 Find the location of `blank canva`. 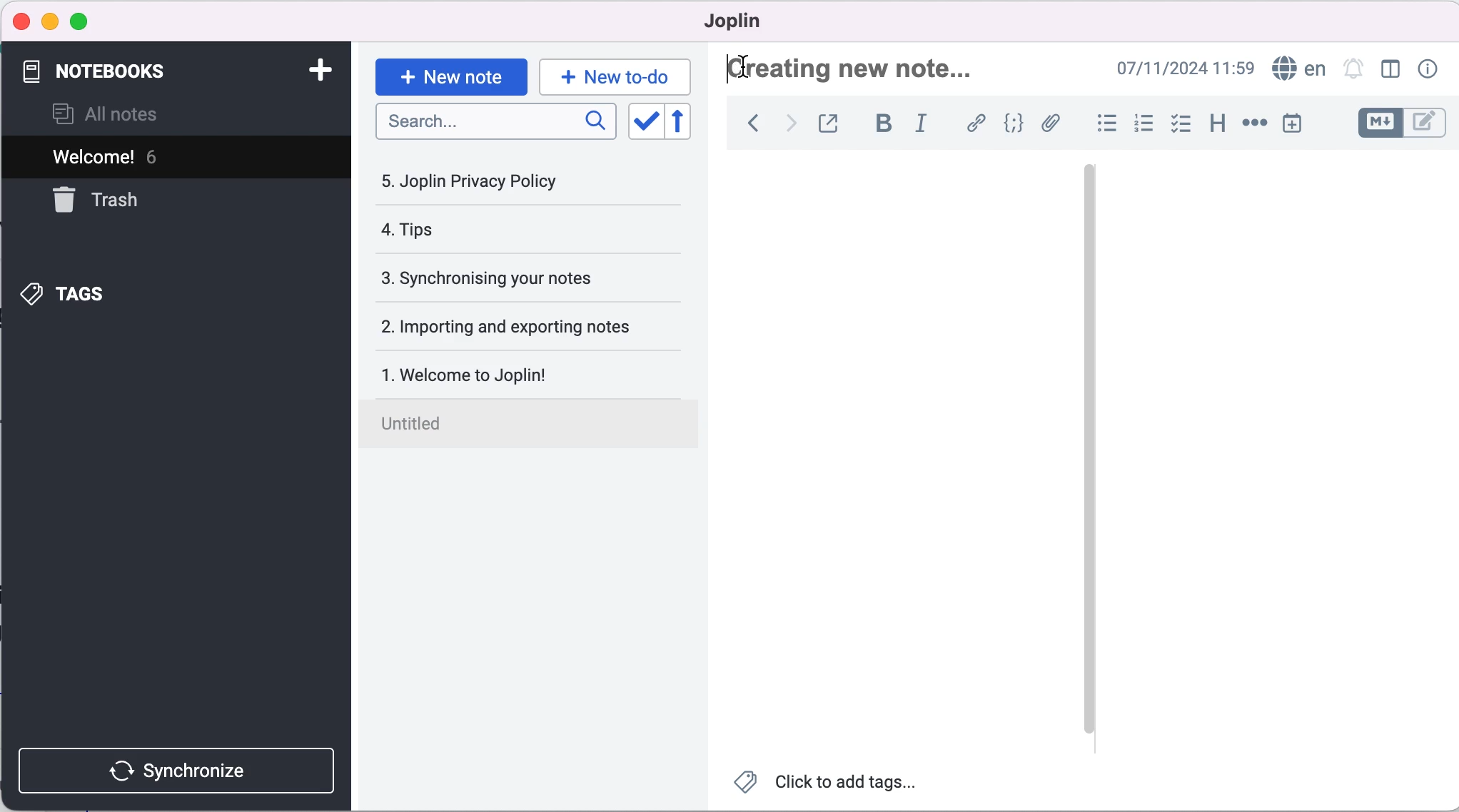

blank canva is located at coordinates (904, 449).